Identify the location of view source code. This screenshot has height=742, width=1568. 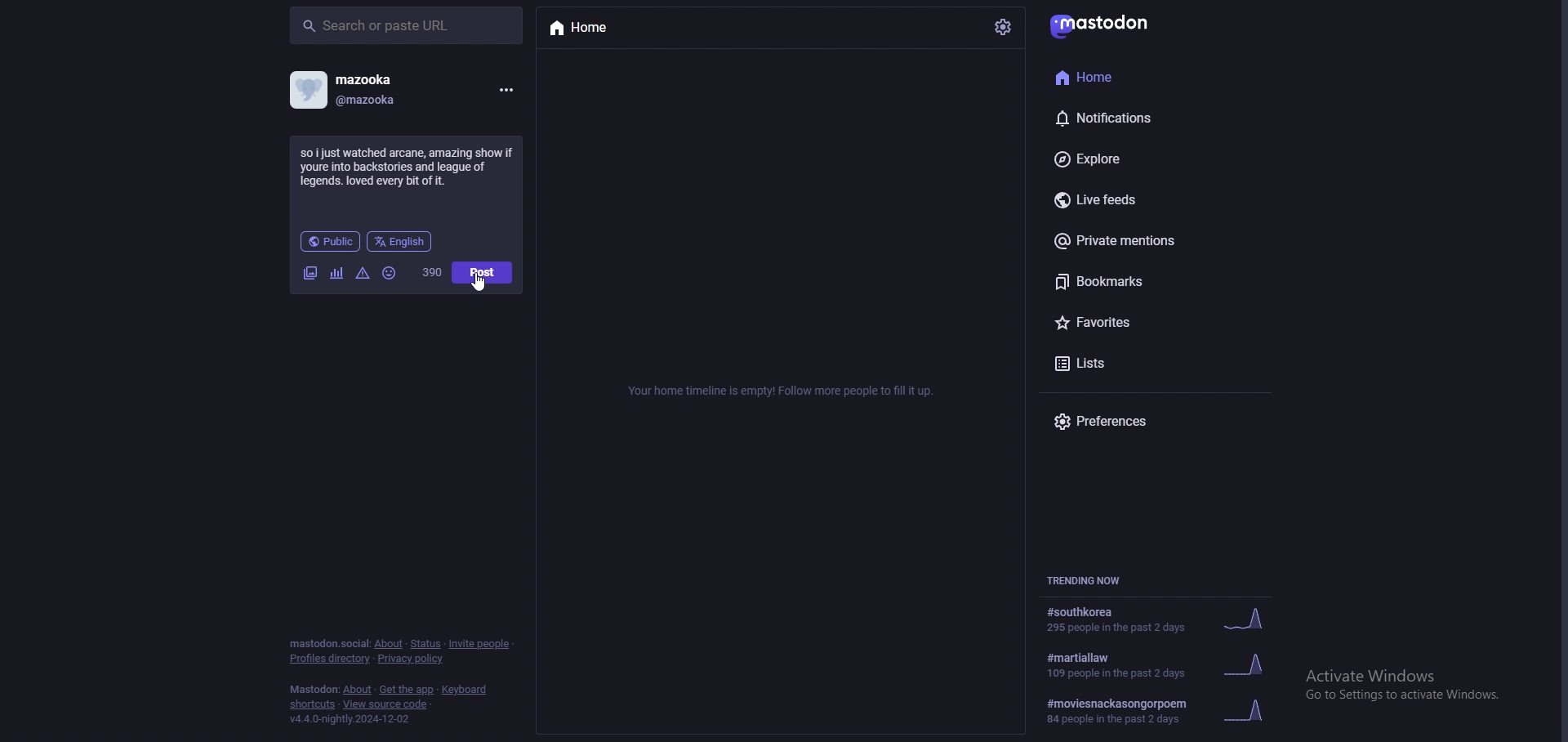
(386, 704).